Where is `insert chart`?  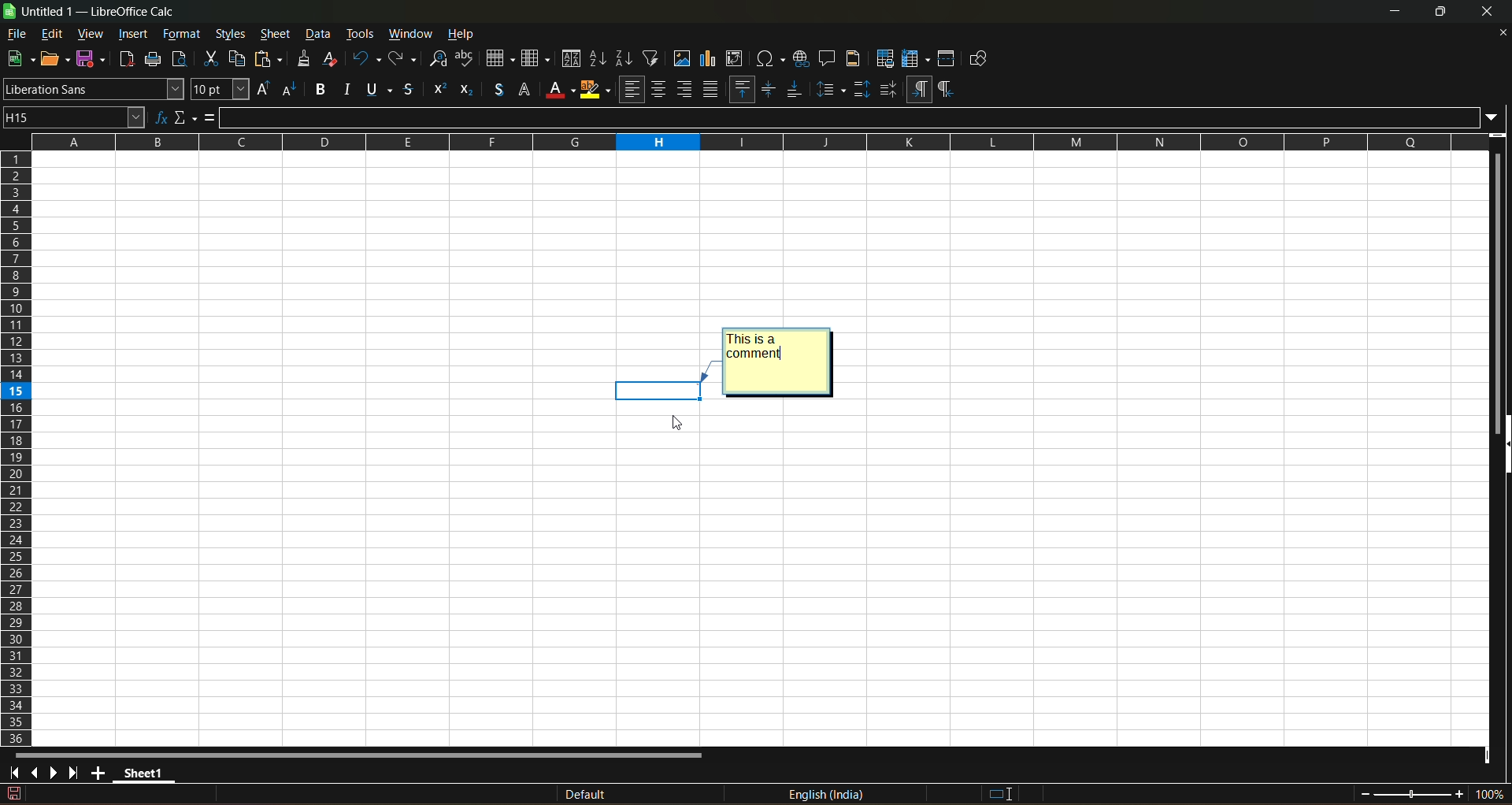
insert chart is located at coordinates (708, 59).